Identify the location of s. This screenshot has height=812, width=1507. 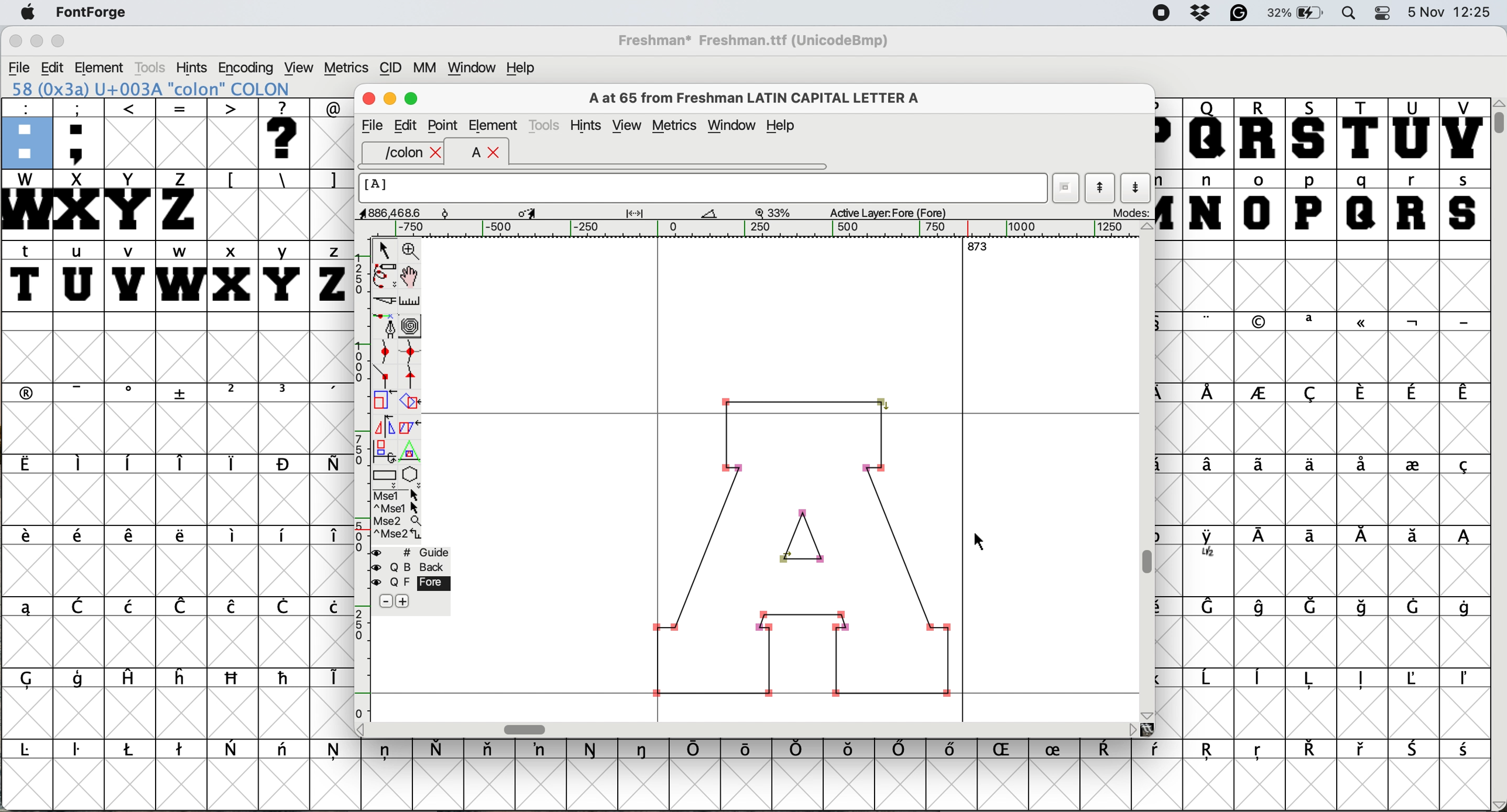
(1464, 204).